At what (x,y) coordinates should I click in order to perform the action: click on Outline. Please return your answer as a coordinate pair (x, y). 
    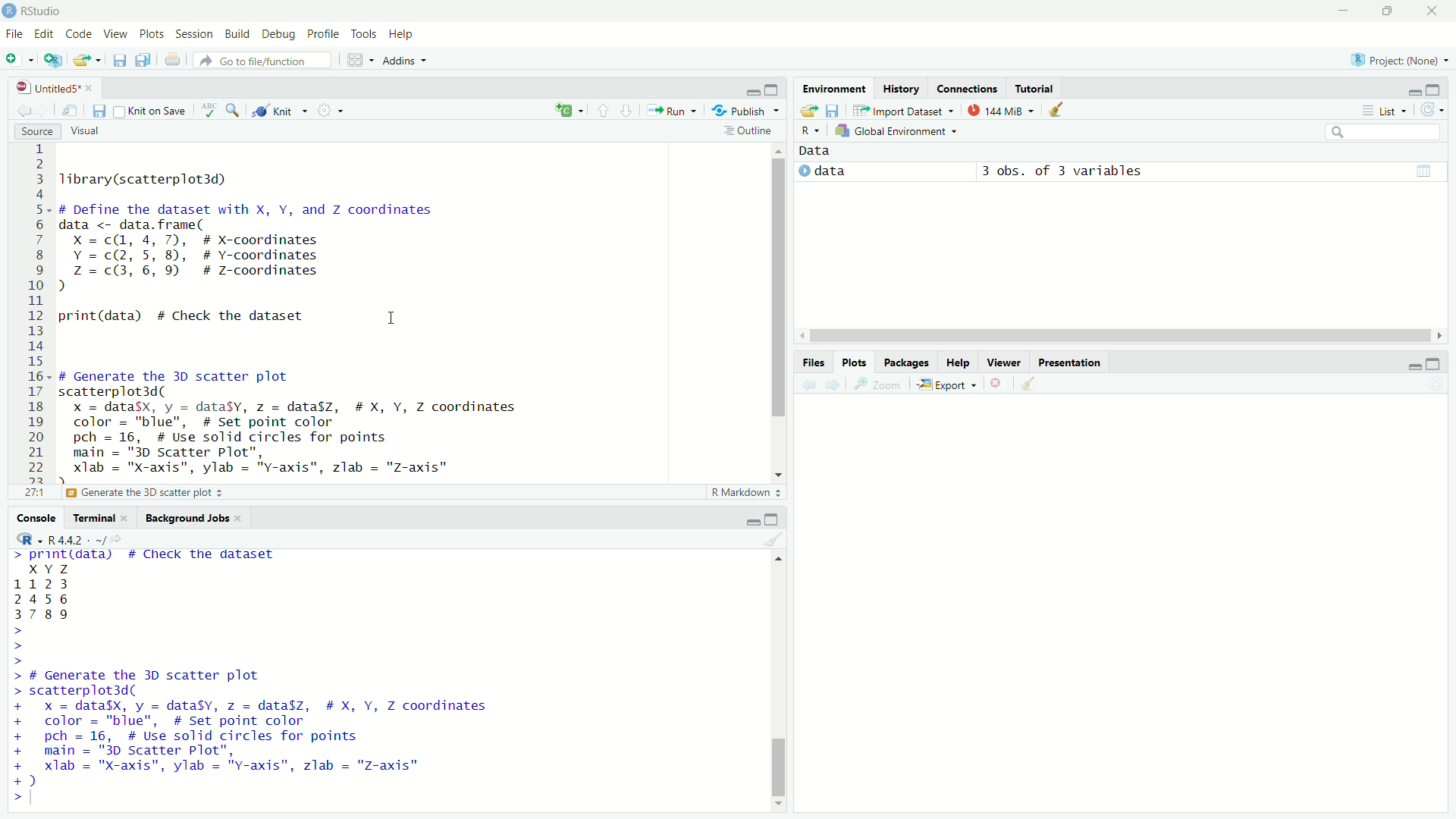
    Looking at the image, I should click on (755, 131).